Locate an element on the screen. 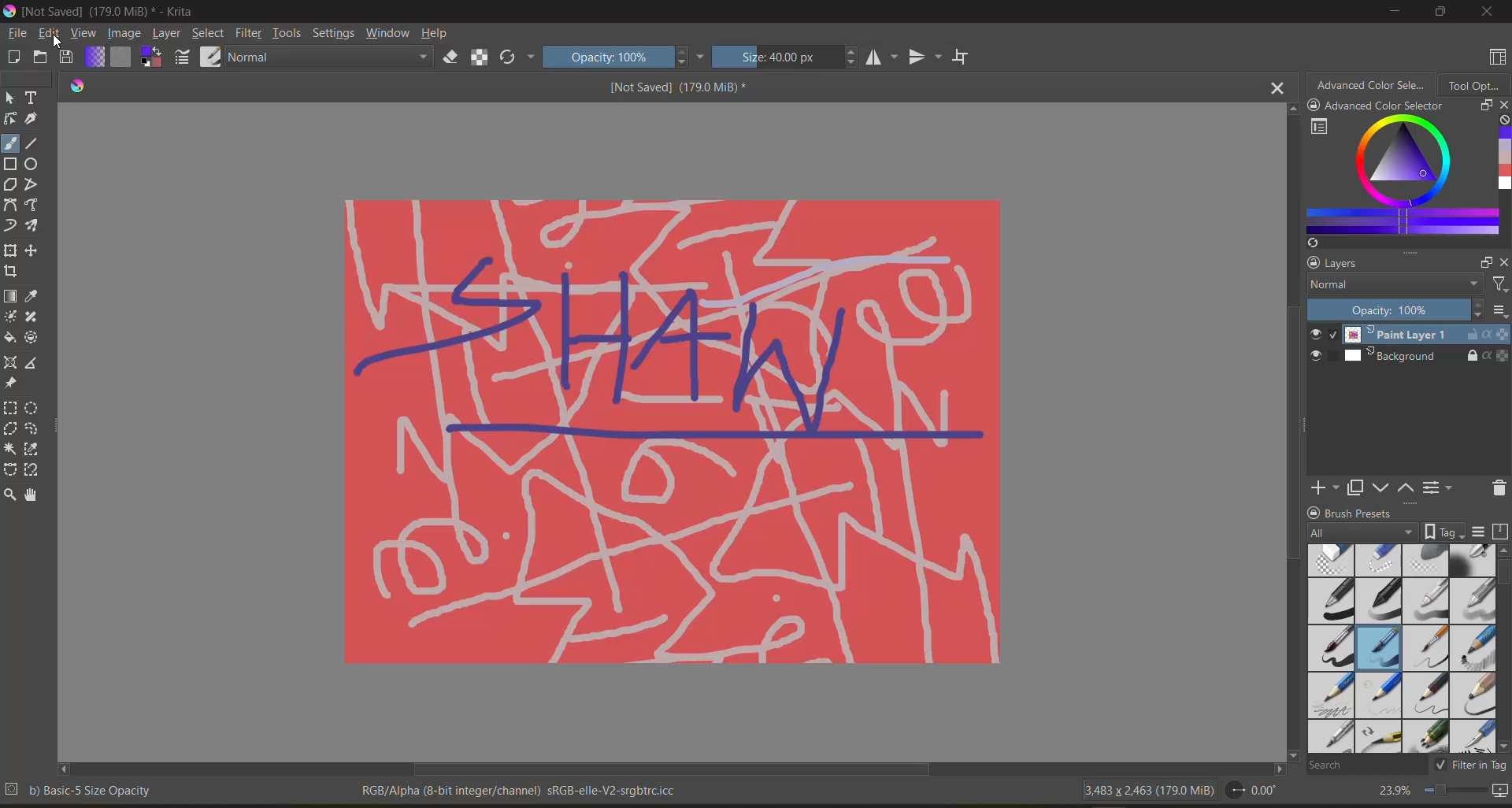 This screenshot has height=808, width=1512. foreground color selector is located at coordinates (151, 56).